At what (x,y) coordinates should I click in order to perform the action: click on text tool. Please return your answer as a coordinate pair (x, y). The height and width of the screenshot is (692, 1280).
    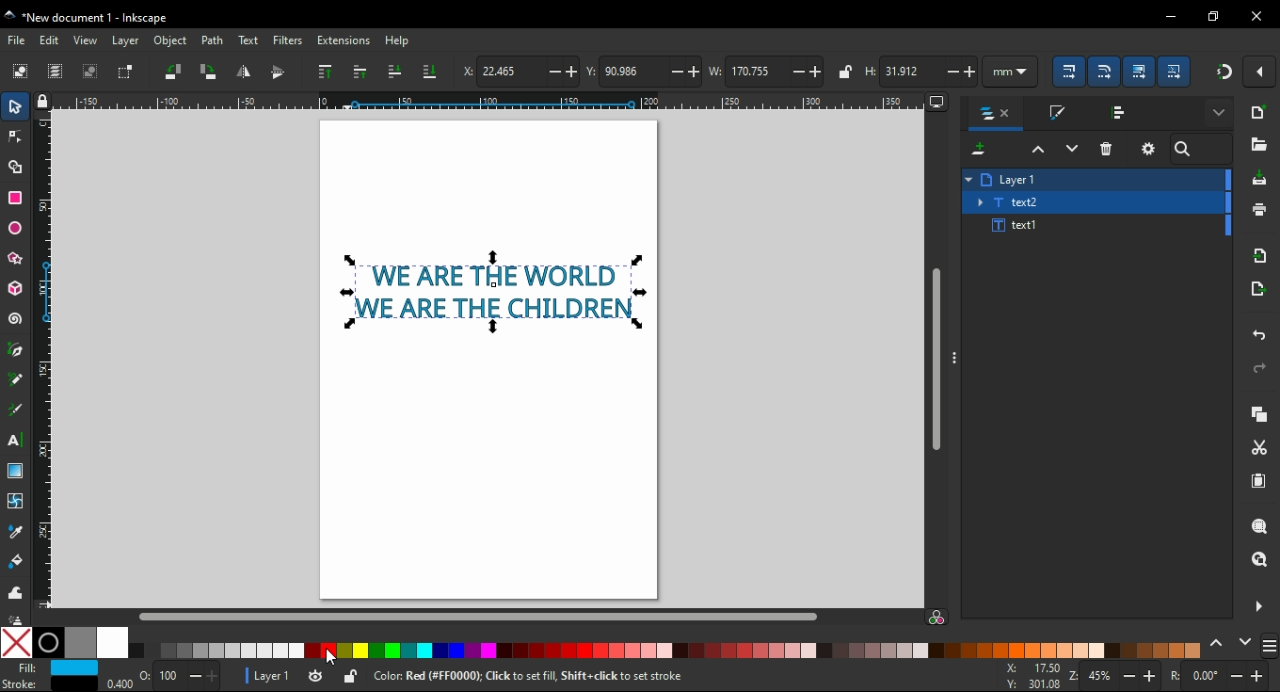
    Looking at the image, I should click on (16, 442).